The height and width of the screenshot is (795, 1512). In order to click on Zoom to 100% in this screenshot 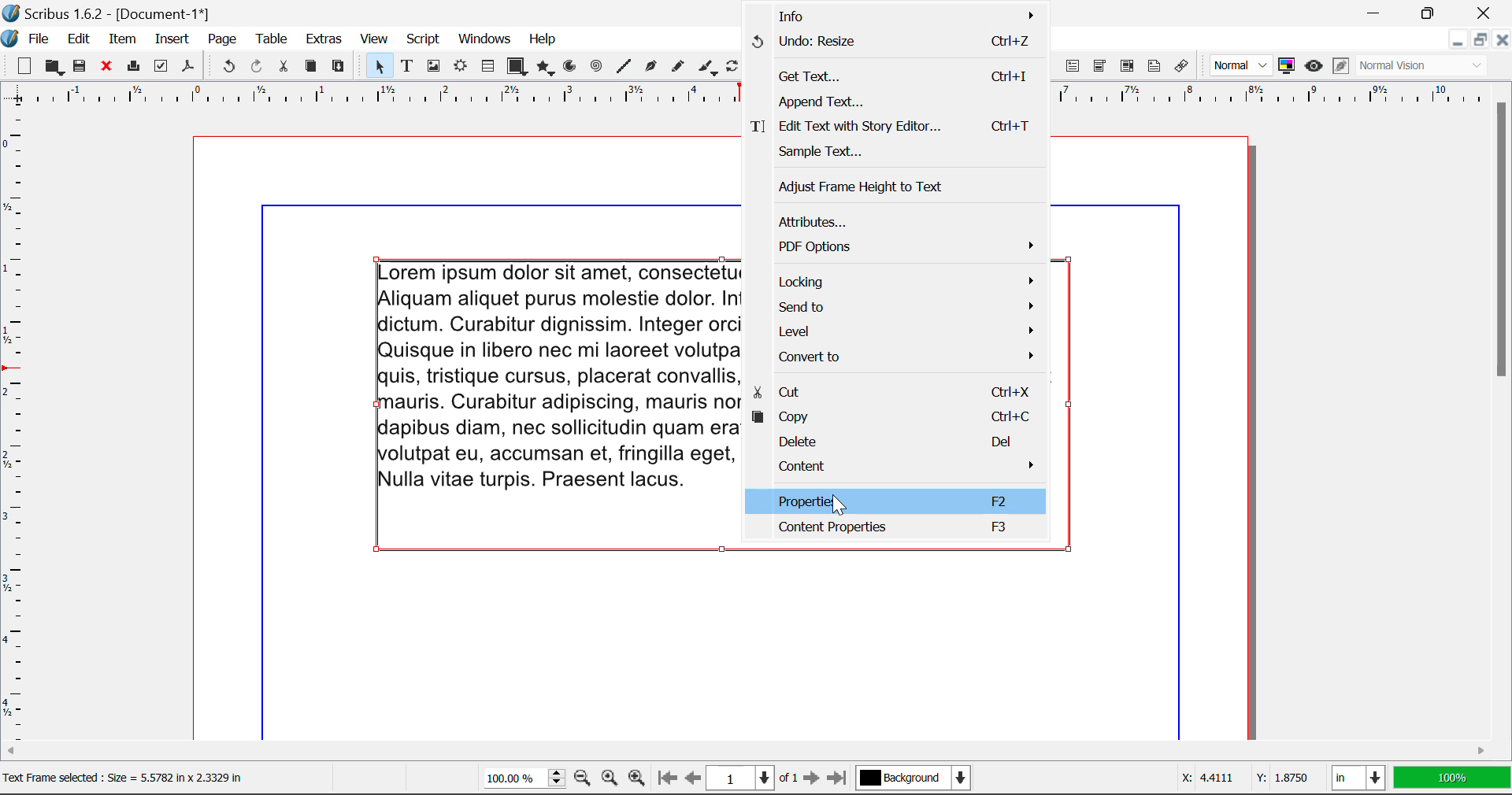, I will do `click(610, 780)`.